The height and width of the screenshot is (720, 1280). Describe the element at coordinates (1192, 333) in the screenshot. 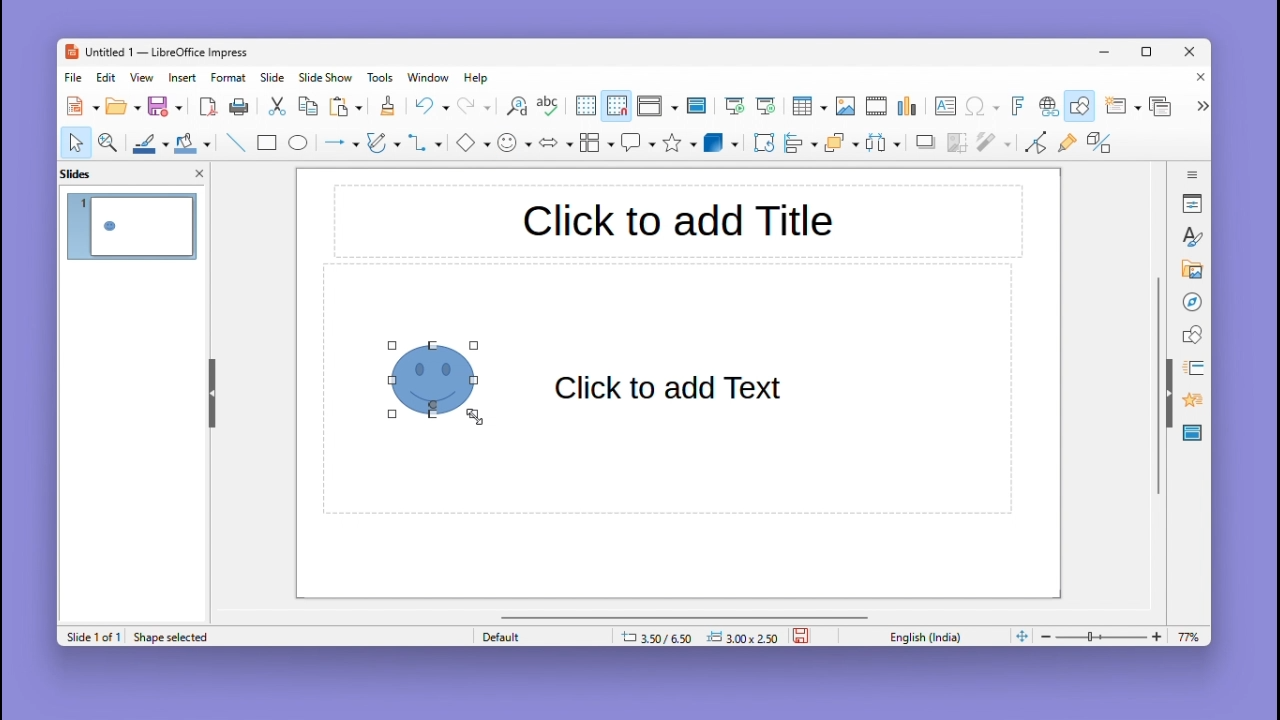

I see `shapes` at that location.